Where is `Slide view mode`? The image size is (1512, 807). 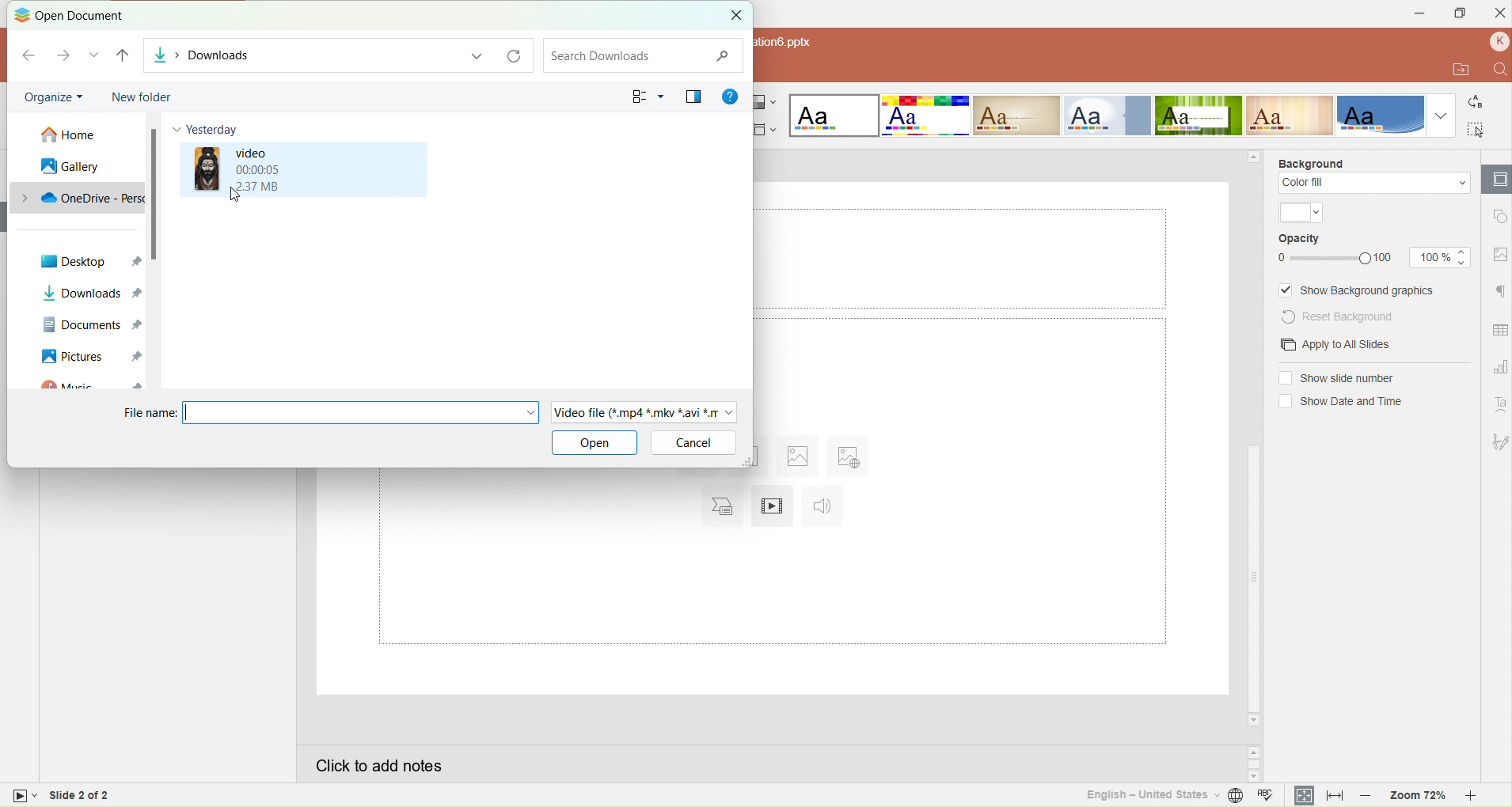 Slide view mode is located at coordinates (19, 794).